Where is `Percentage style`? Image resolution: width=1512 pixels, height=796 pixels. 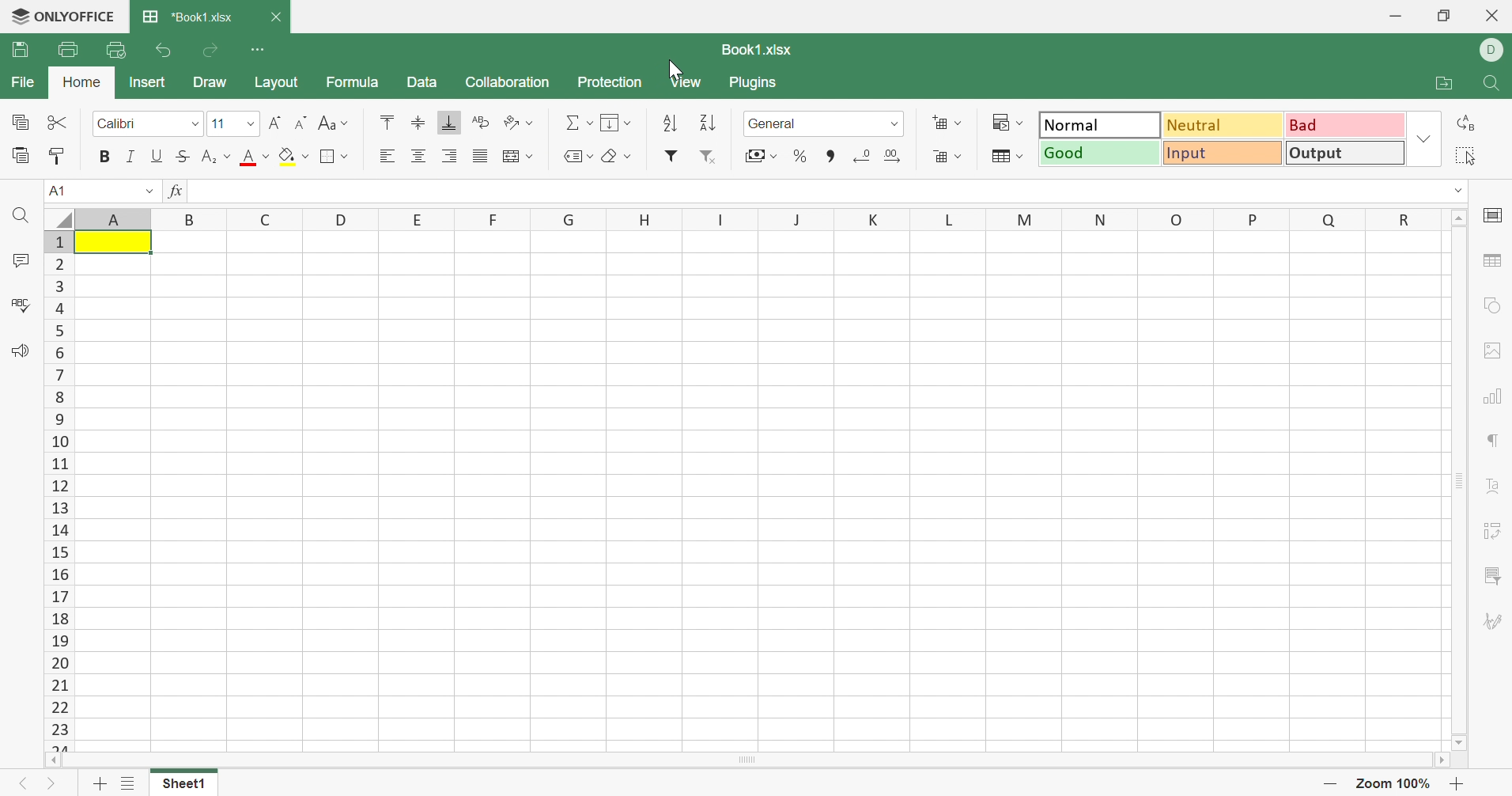
Percentage style is located at coordinates (799, 155).